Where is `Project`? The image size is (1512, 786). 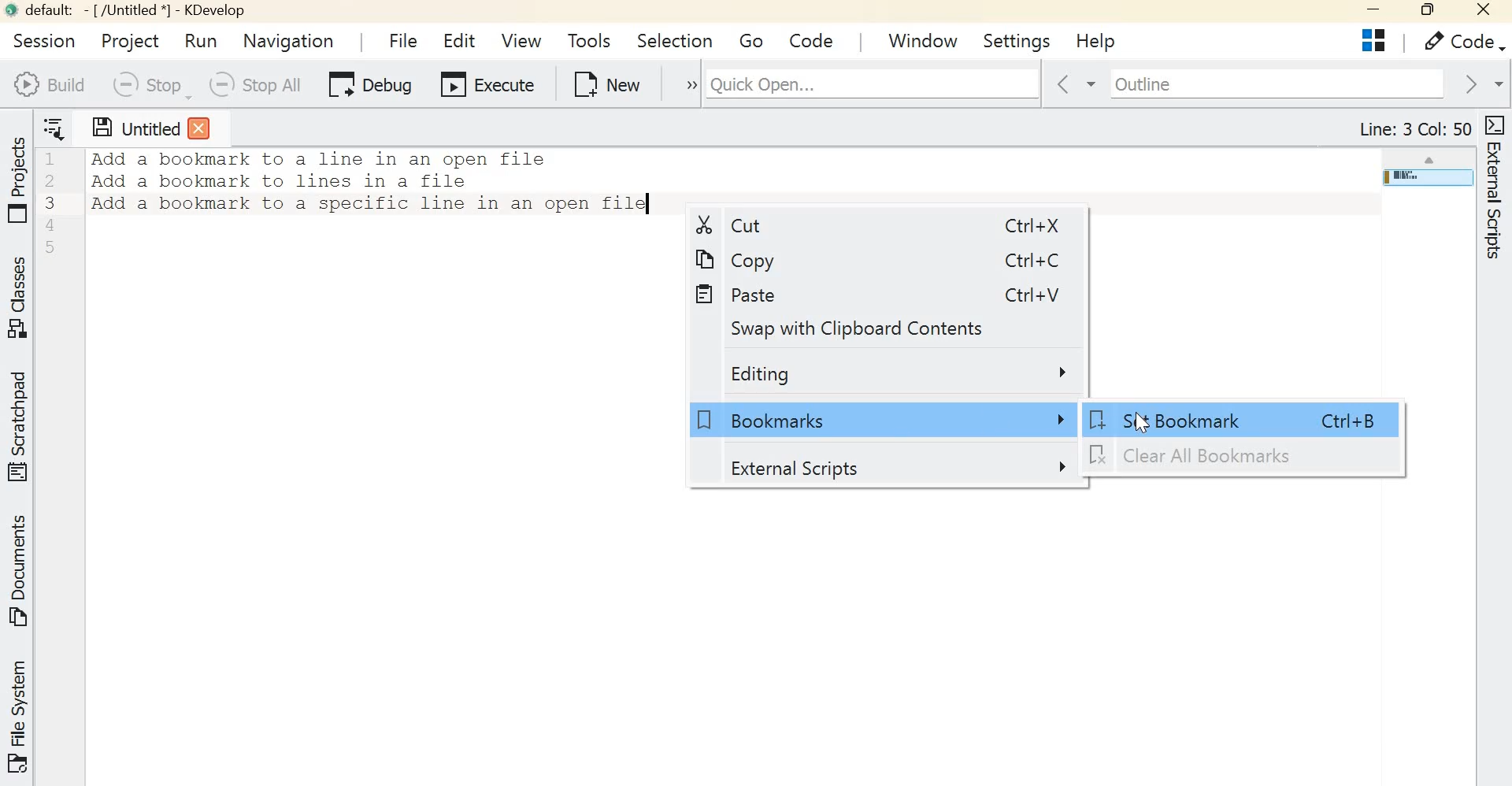
Project is located at coordinates (128, 41).